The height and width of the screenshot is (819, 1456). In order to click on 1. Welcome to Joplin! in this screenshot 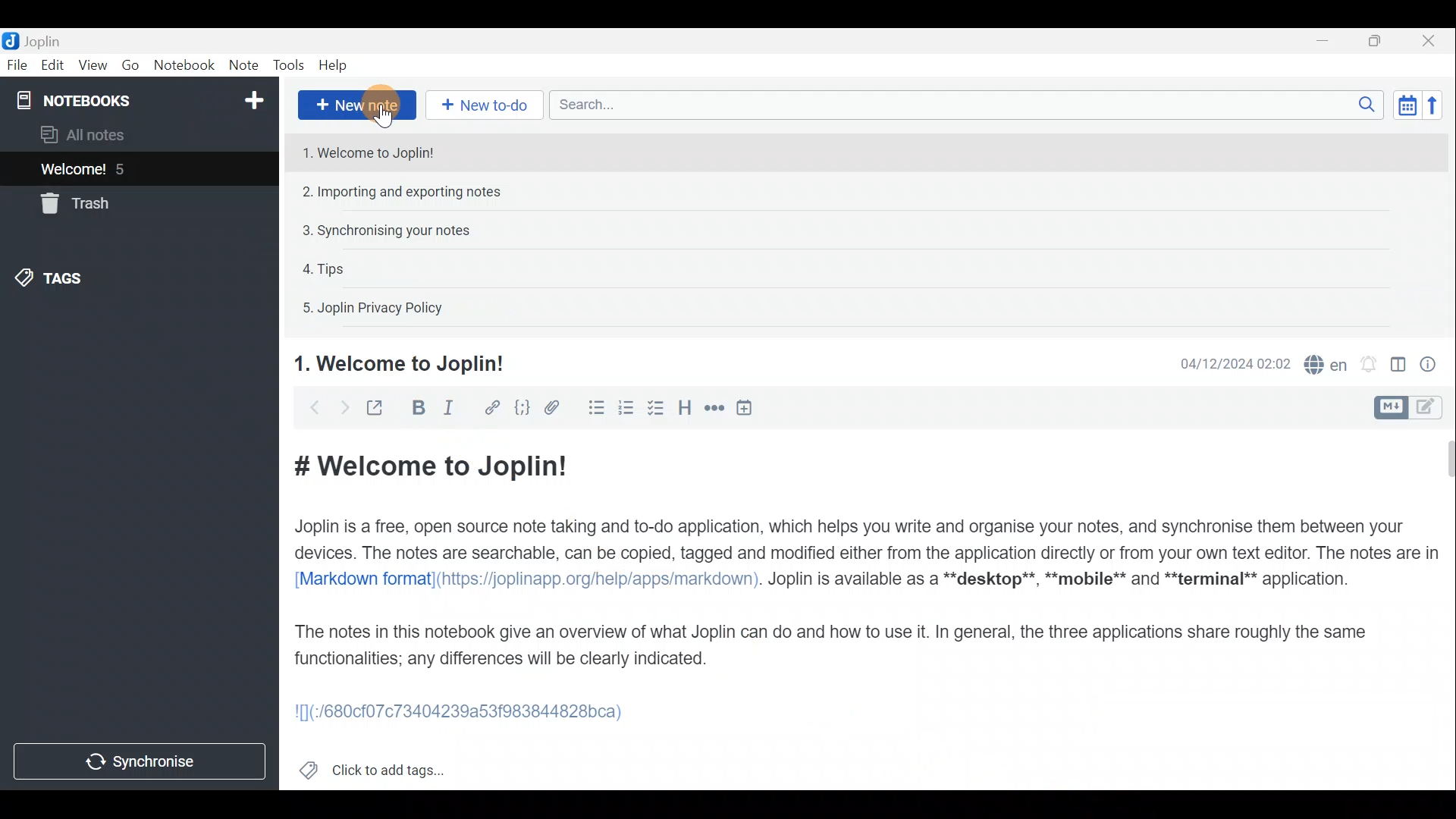, I will do `click(370, 151)`.